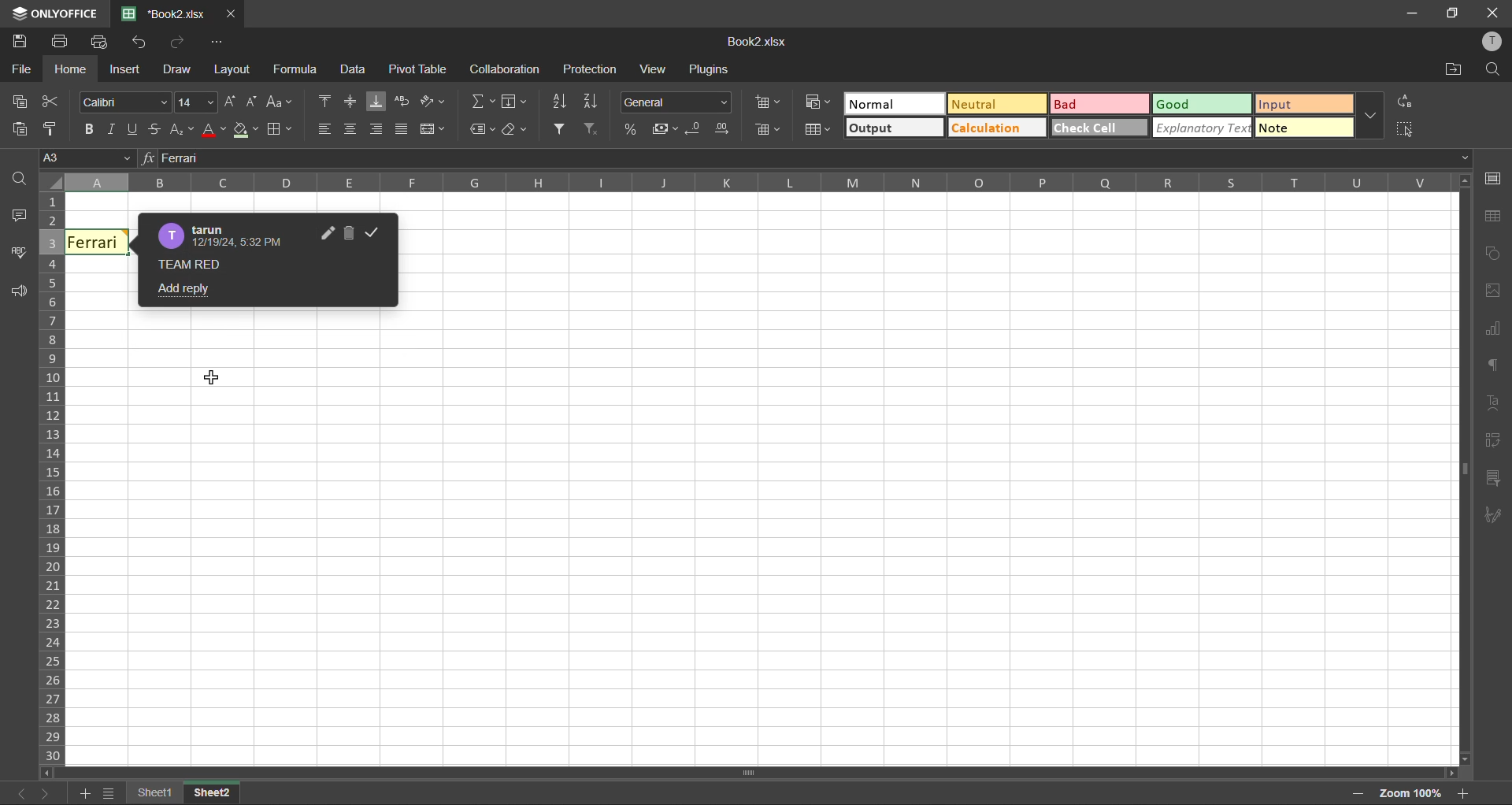  What do you see at coordinates (350, 130) in the screenshot?
I see `align center` at bounding box center [350, 130].